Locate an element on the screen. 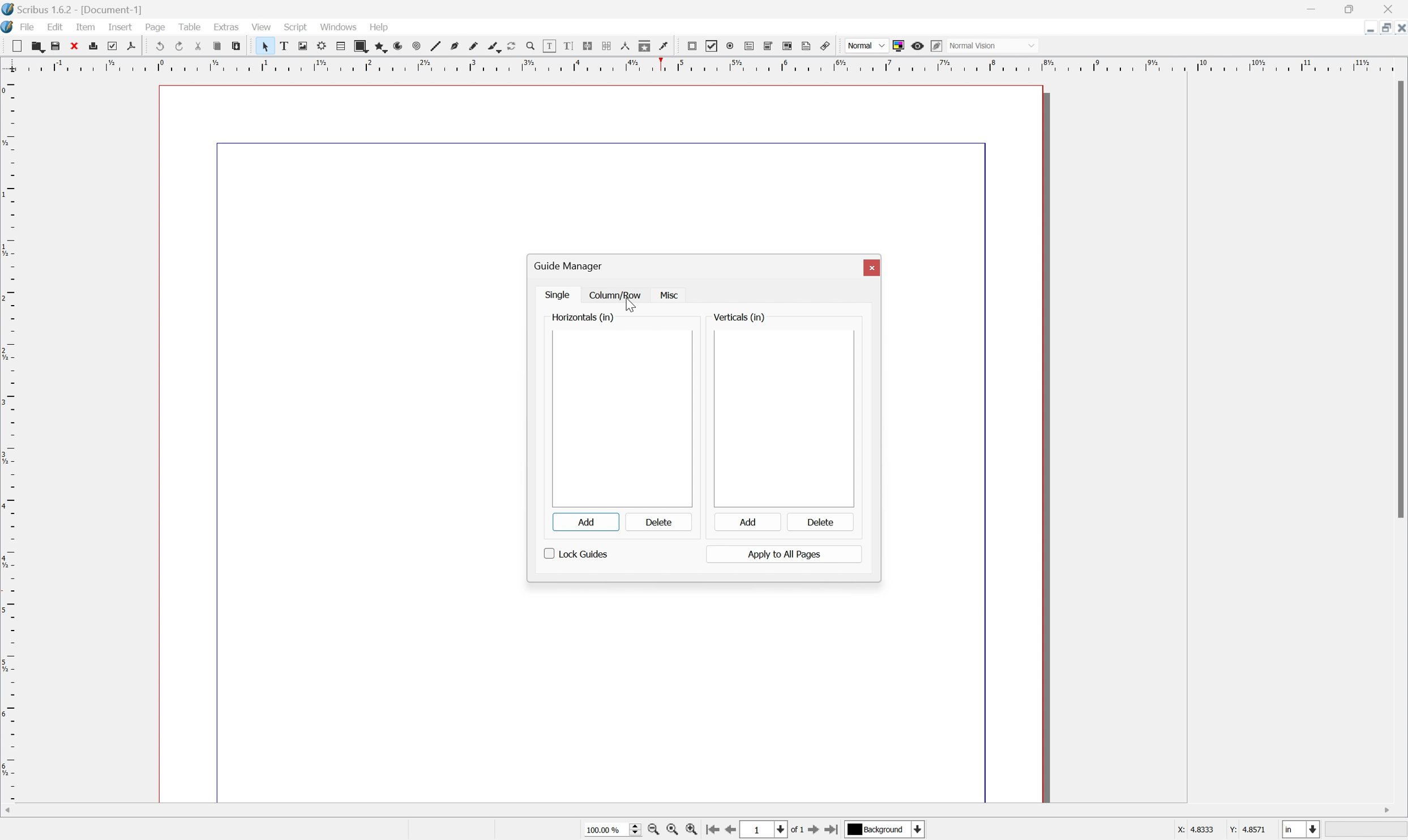 This screenshot has width=1408, height=840. extras is located at coordinates (226, 27).